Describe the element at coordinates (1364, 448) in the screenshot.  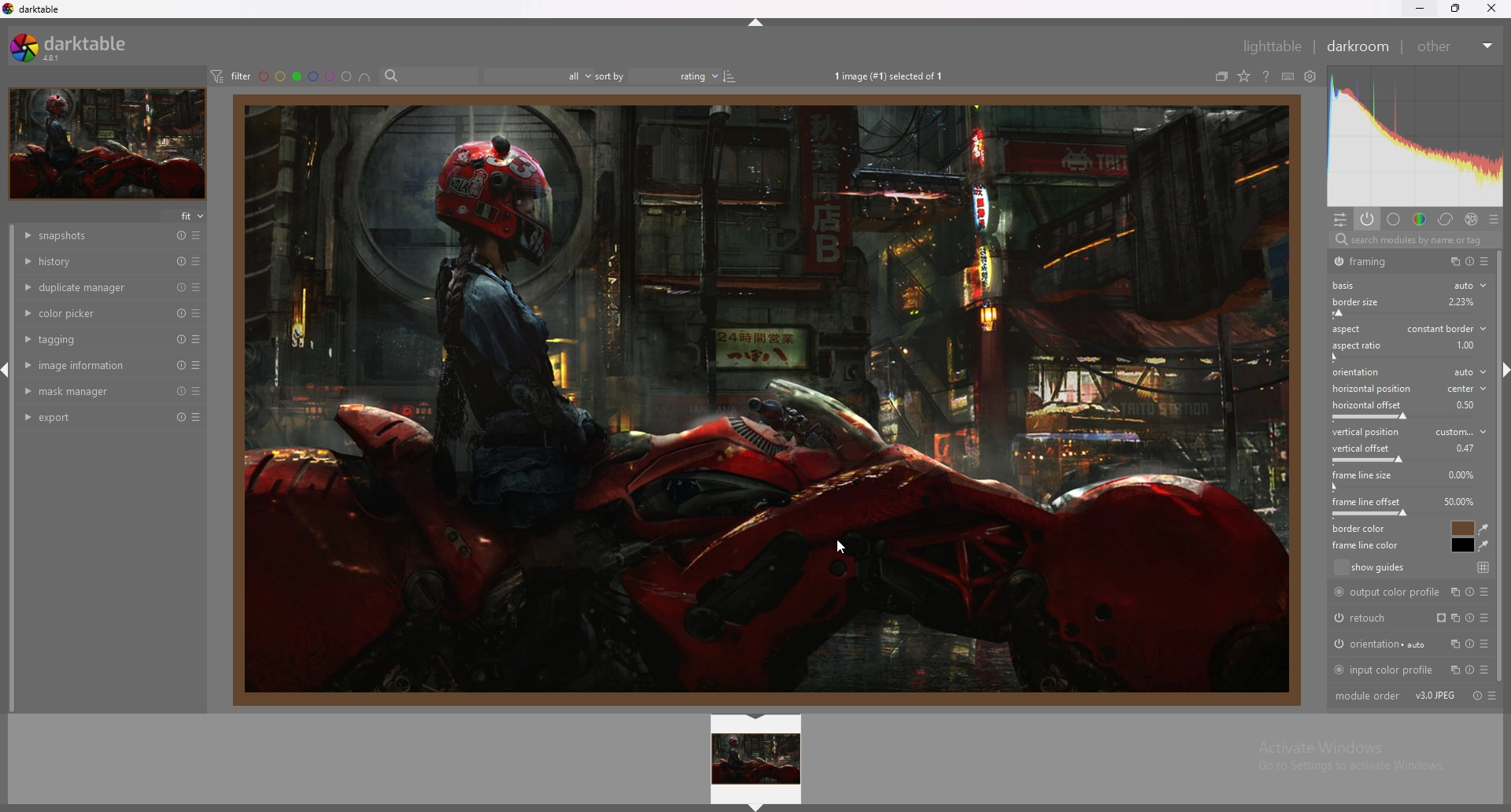
I see `vertical offset` at that location.